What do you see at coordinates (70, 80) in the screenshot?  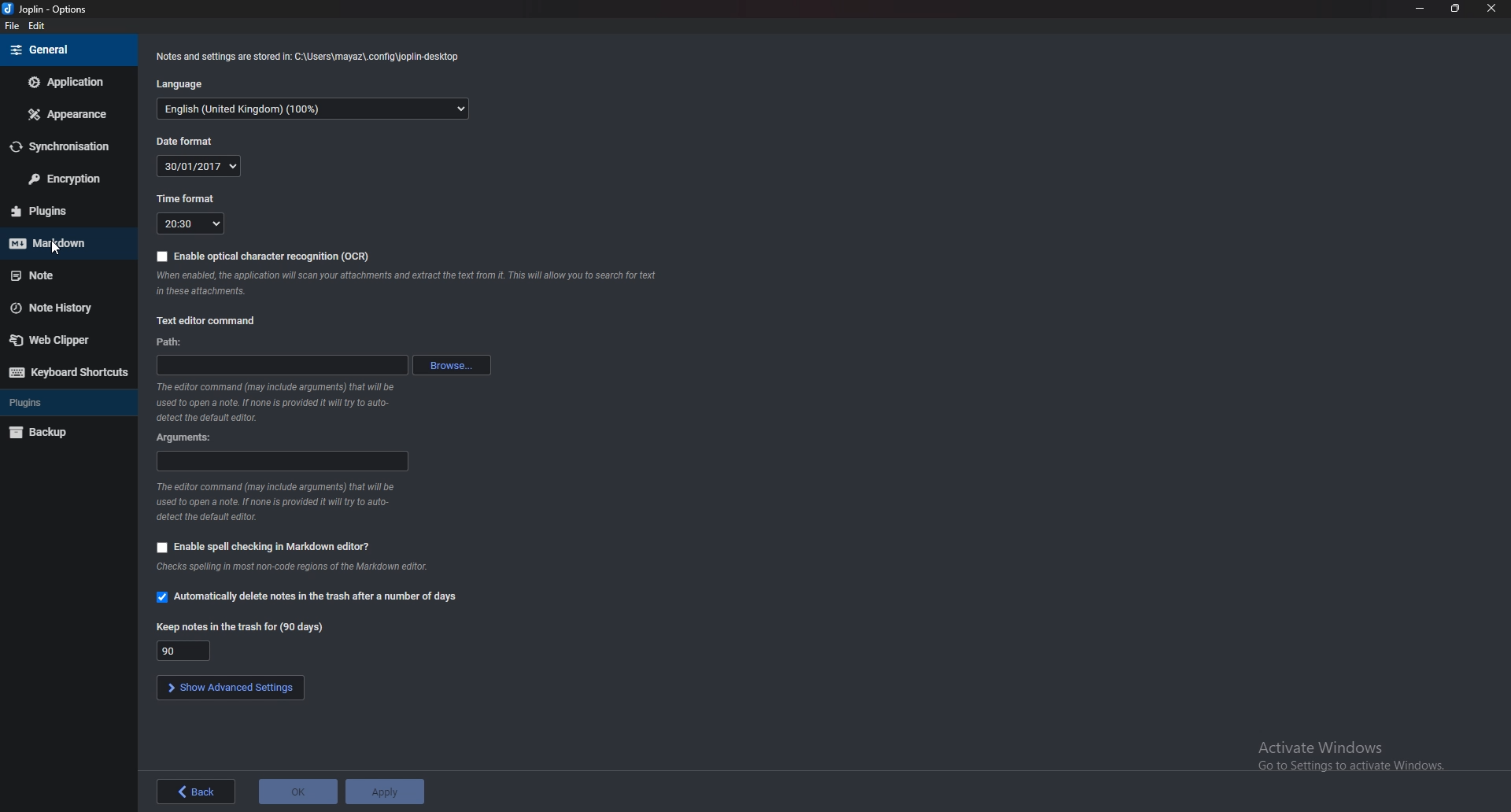 I see `Application` at bounding box center [70, 80].